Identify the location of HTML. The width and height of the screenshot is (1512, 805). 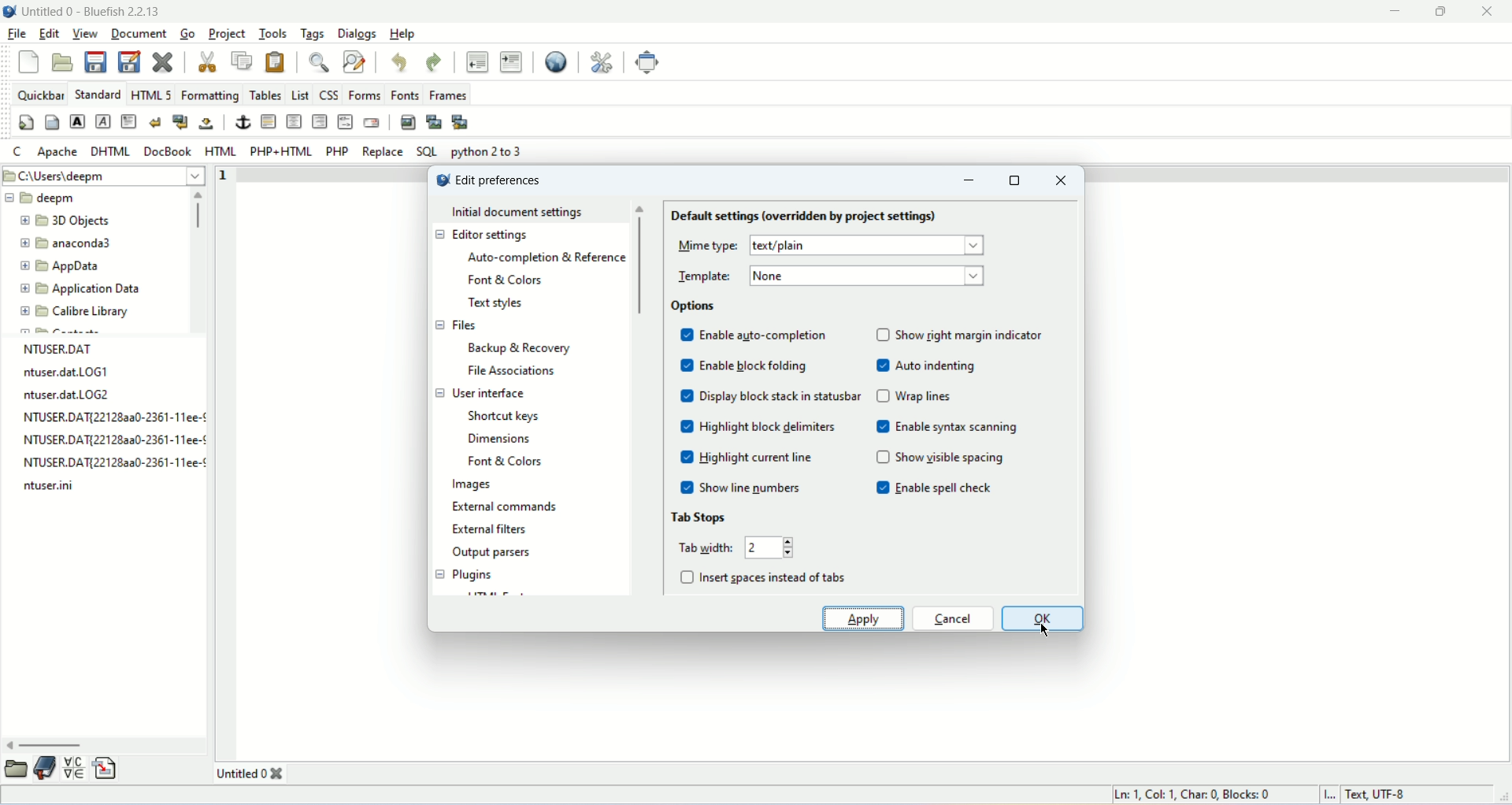
(220, 151).